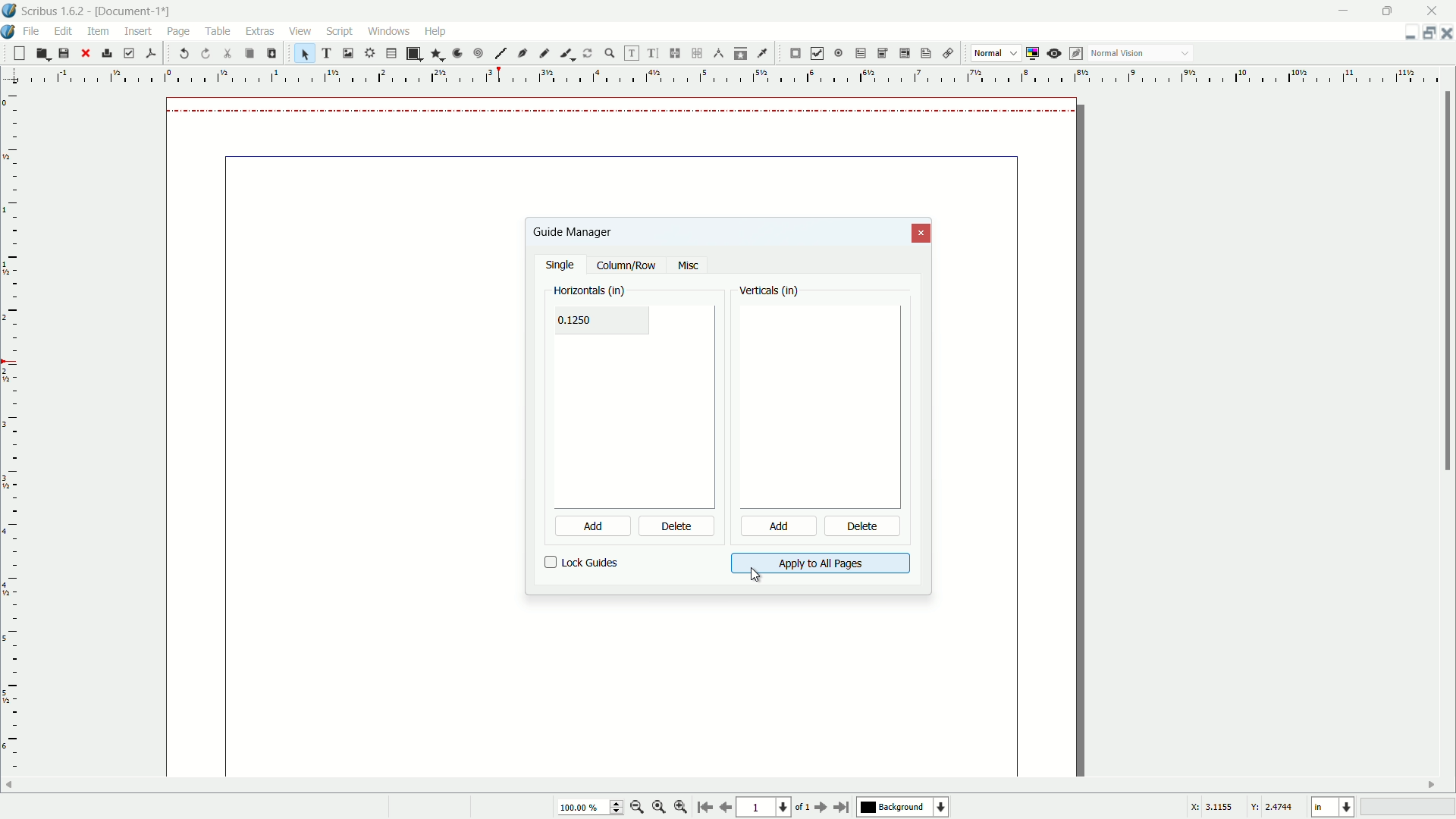 This screenshot has width=1456, height=819. What do you see at coordinates (588, 808) in the screenshot?
I see `current zoom percentage` at bounding box center [588, 808].